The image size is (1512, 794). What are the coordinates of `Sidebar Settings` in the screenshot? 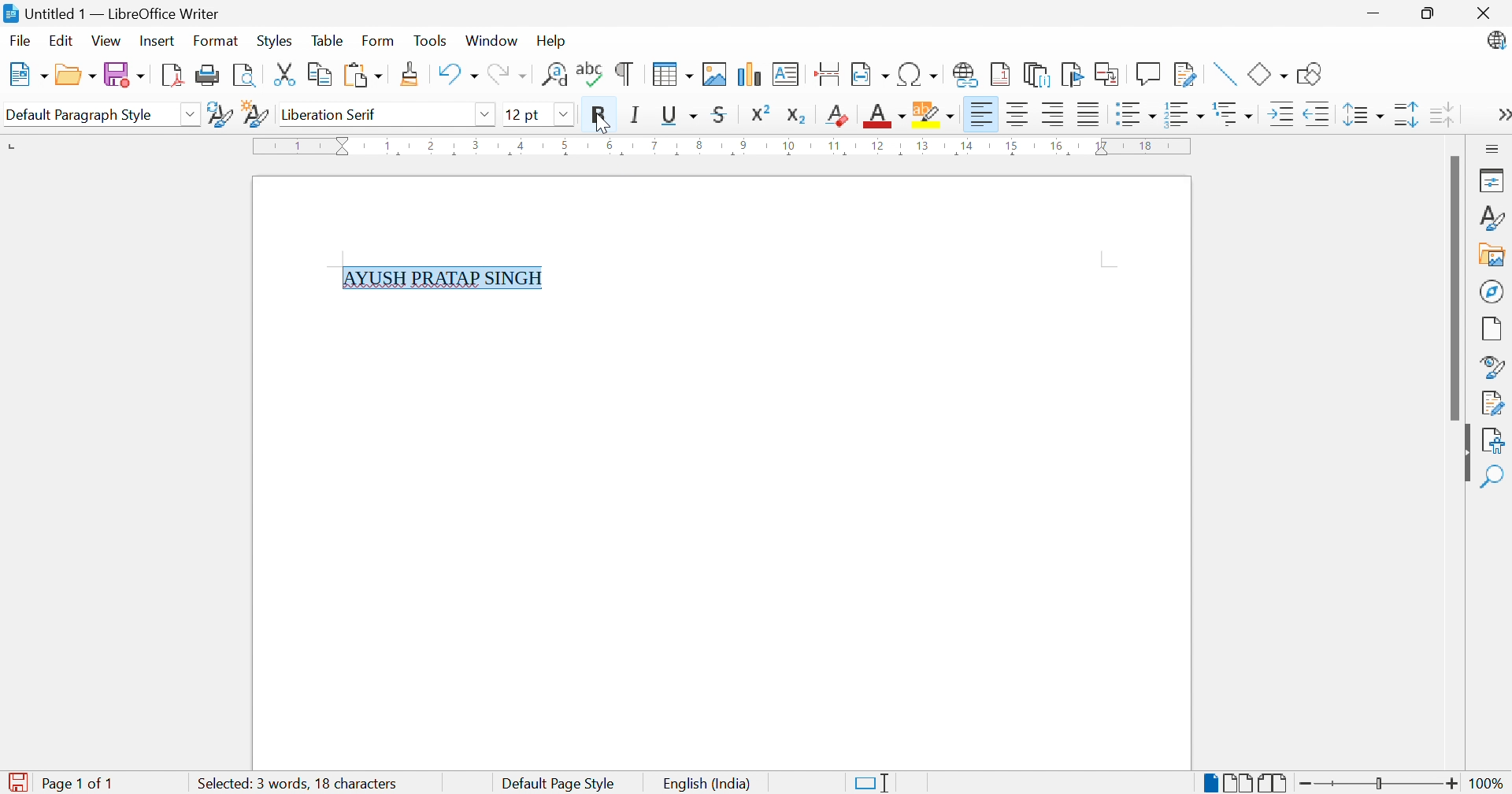 It's located at (1490, 148).